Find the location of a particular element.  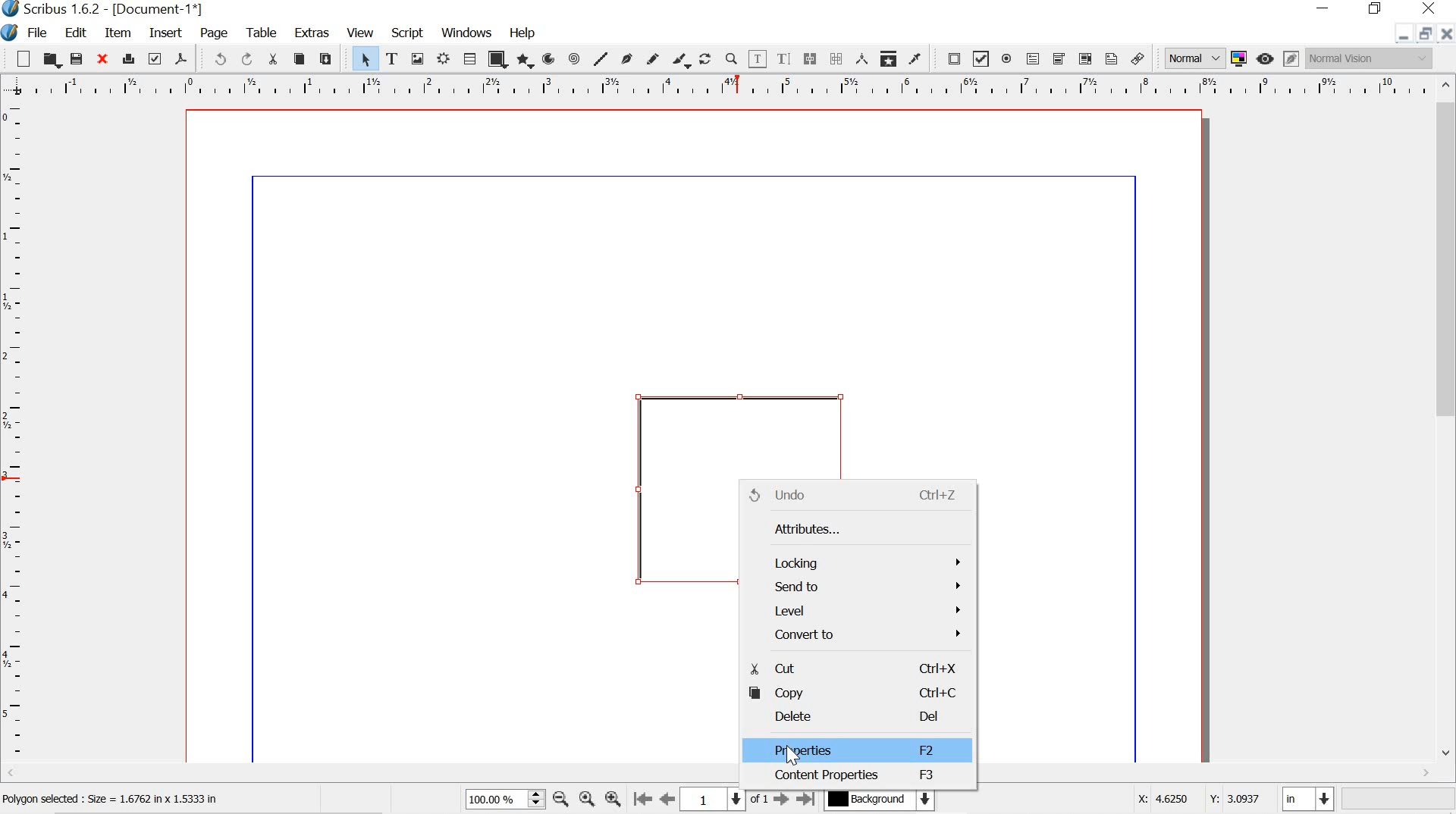

zoom out is located at coordinates (560, 800).